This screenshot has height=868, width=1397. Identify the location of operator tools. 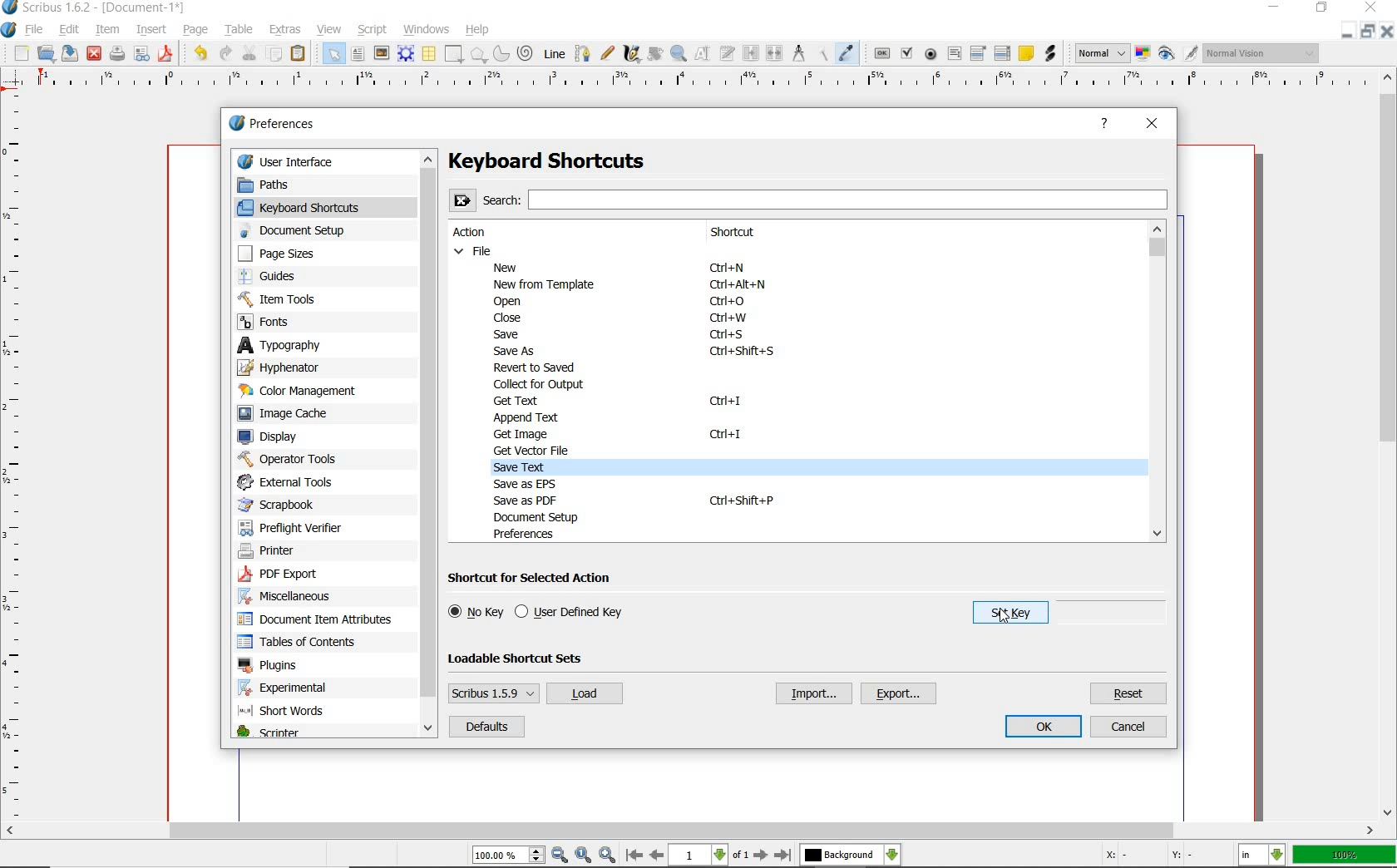
(288, 459).